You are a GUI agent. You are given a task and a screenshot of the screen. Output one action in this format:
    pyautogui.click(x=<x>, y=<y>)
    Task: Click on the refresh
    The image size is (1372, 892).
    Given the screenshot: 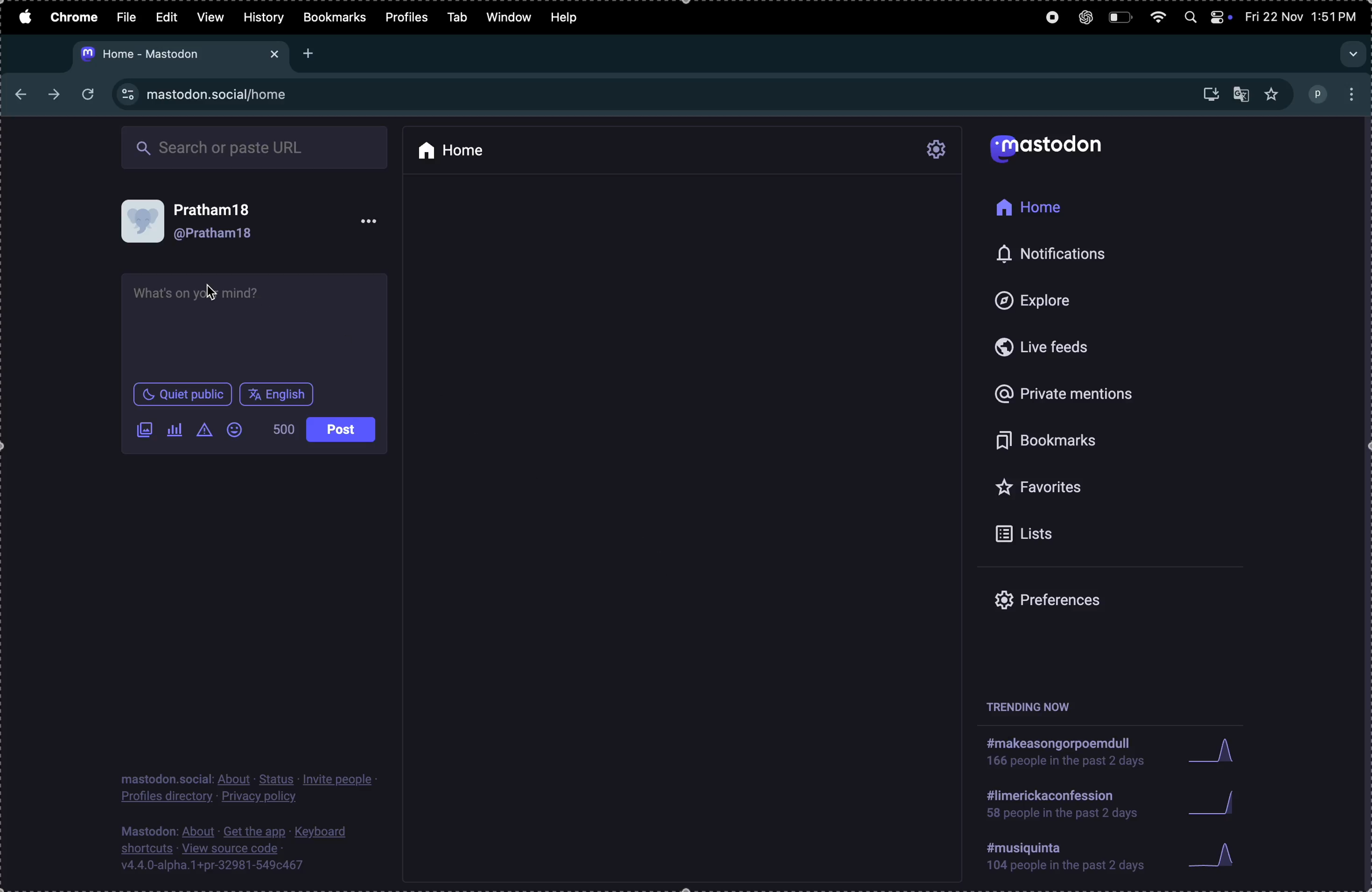 What is the action you would take?
    pyautogui.click(x=92, y=97)
    